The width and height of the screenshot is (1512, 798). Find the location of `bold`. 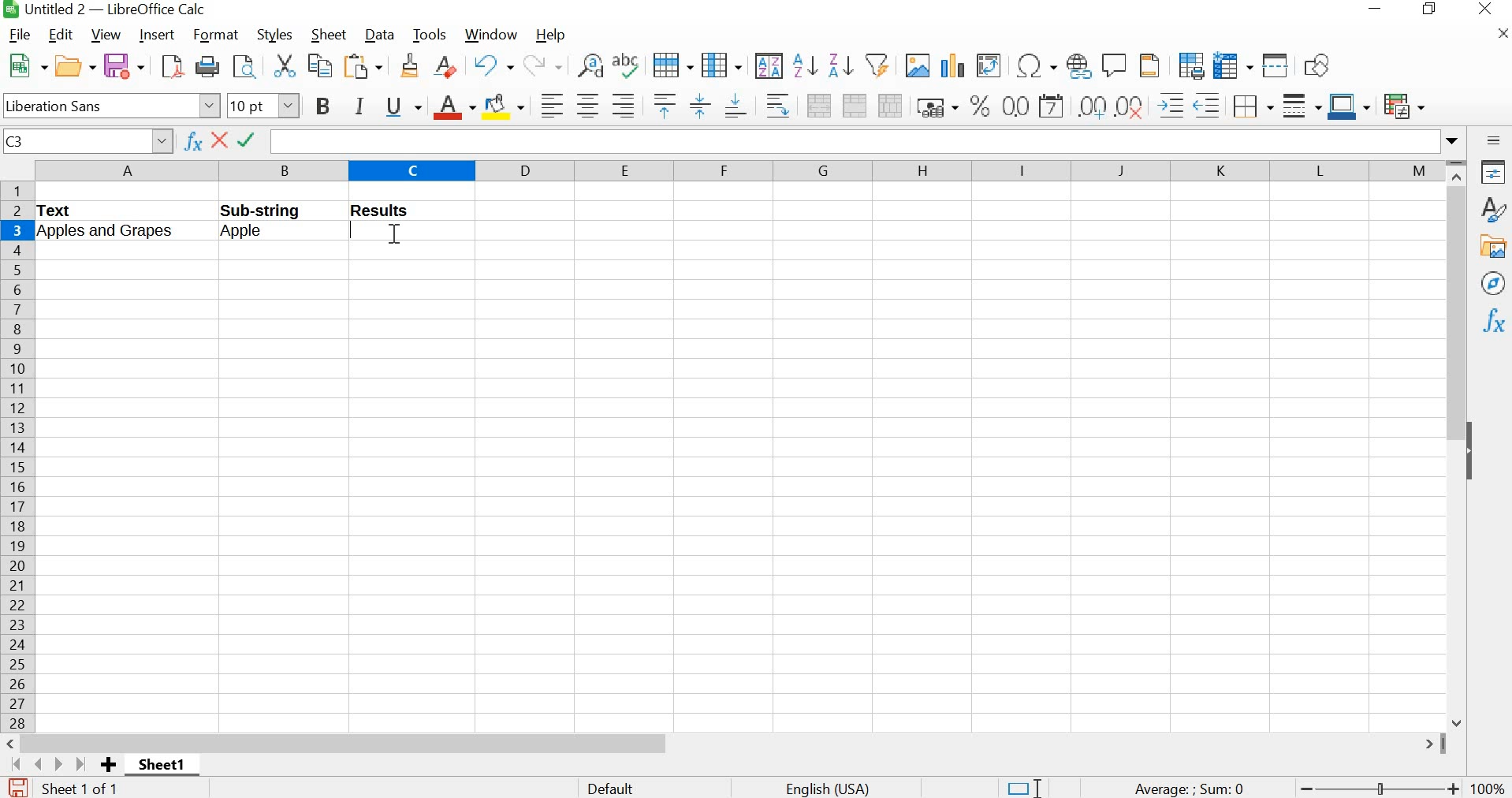

bold is located at coordinates (322, 107).